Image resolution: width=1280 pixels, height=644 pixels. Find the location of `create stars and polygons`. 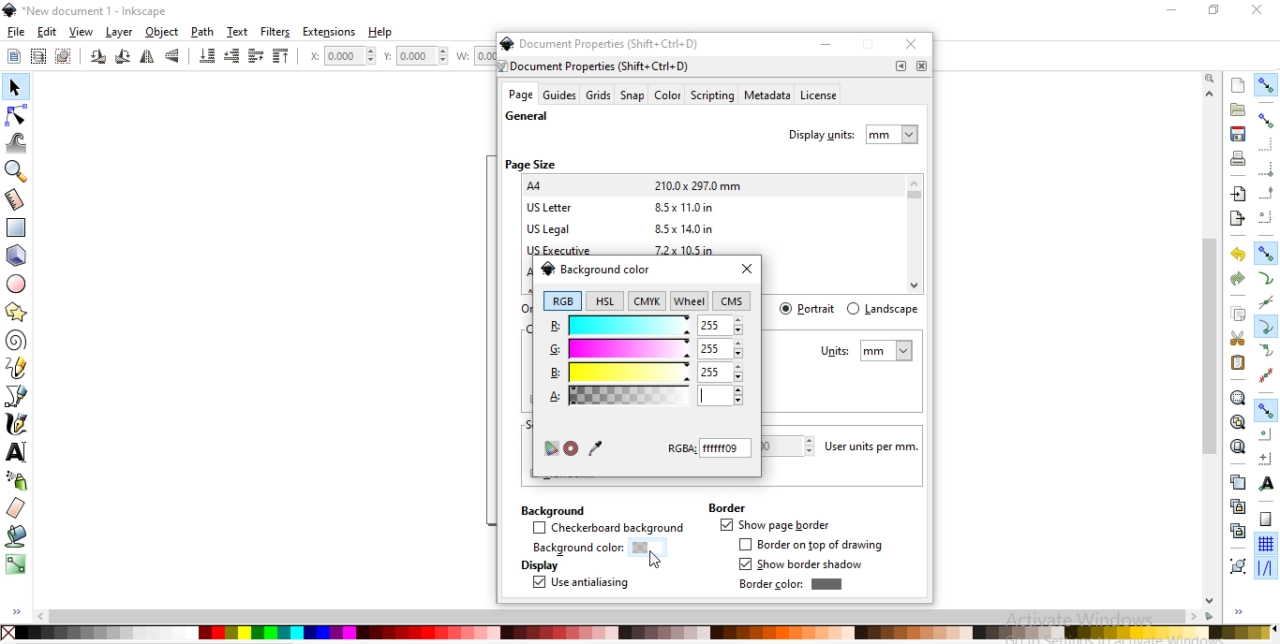

create stars and polygons is located at coordinates (17, 311).